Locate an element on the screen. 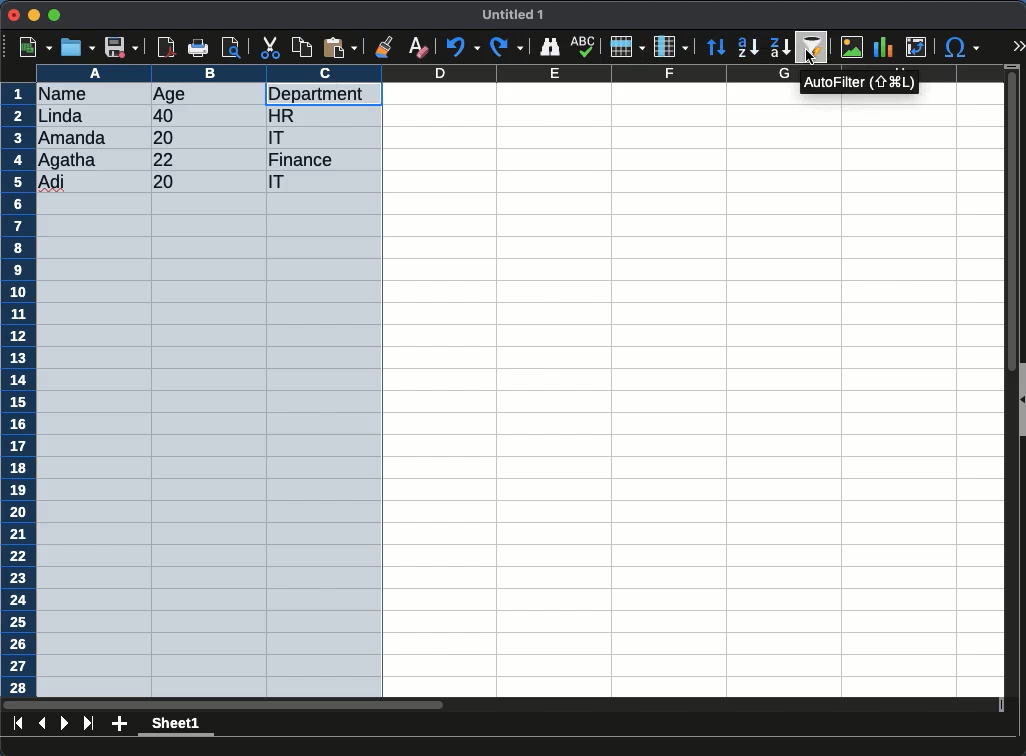 Image resolution: width=1026 pixels, height=756 pixels. redo is located at coordinates (505, 47).